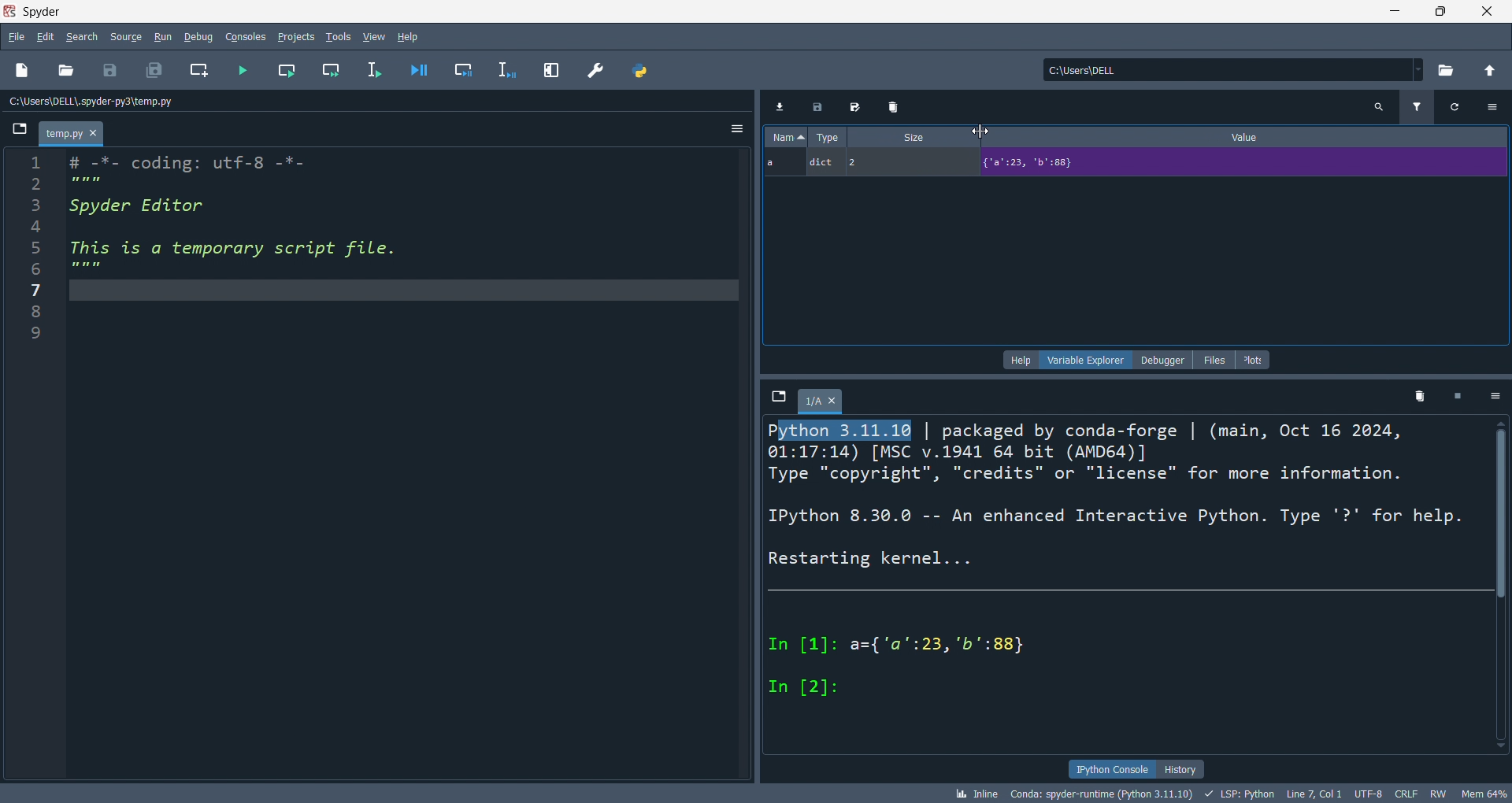 The width and height of the screenshot is (1512, 803). What do you see at coordinates (640, 68) in the screenshot?
I see `path manager` at bounding box center [640, 68].